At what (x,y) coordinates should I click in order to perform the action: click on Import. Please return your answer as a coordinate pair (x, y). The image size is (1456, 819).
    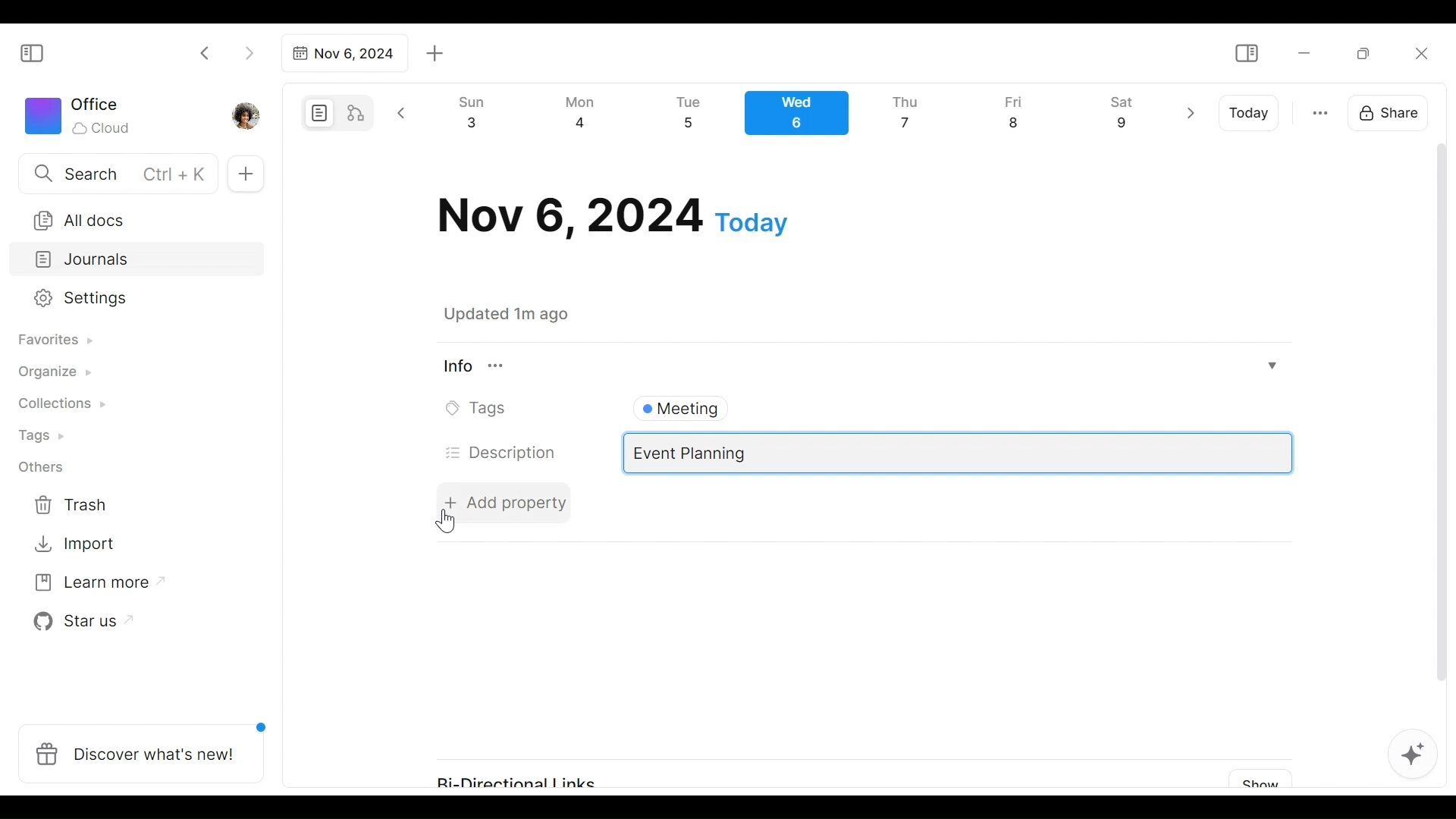
    Looking at the image, I should click on (77, 542).